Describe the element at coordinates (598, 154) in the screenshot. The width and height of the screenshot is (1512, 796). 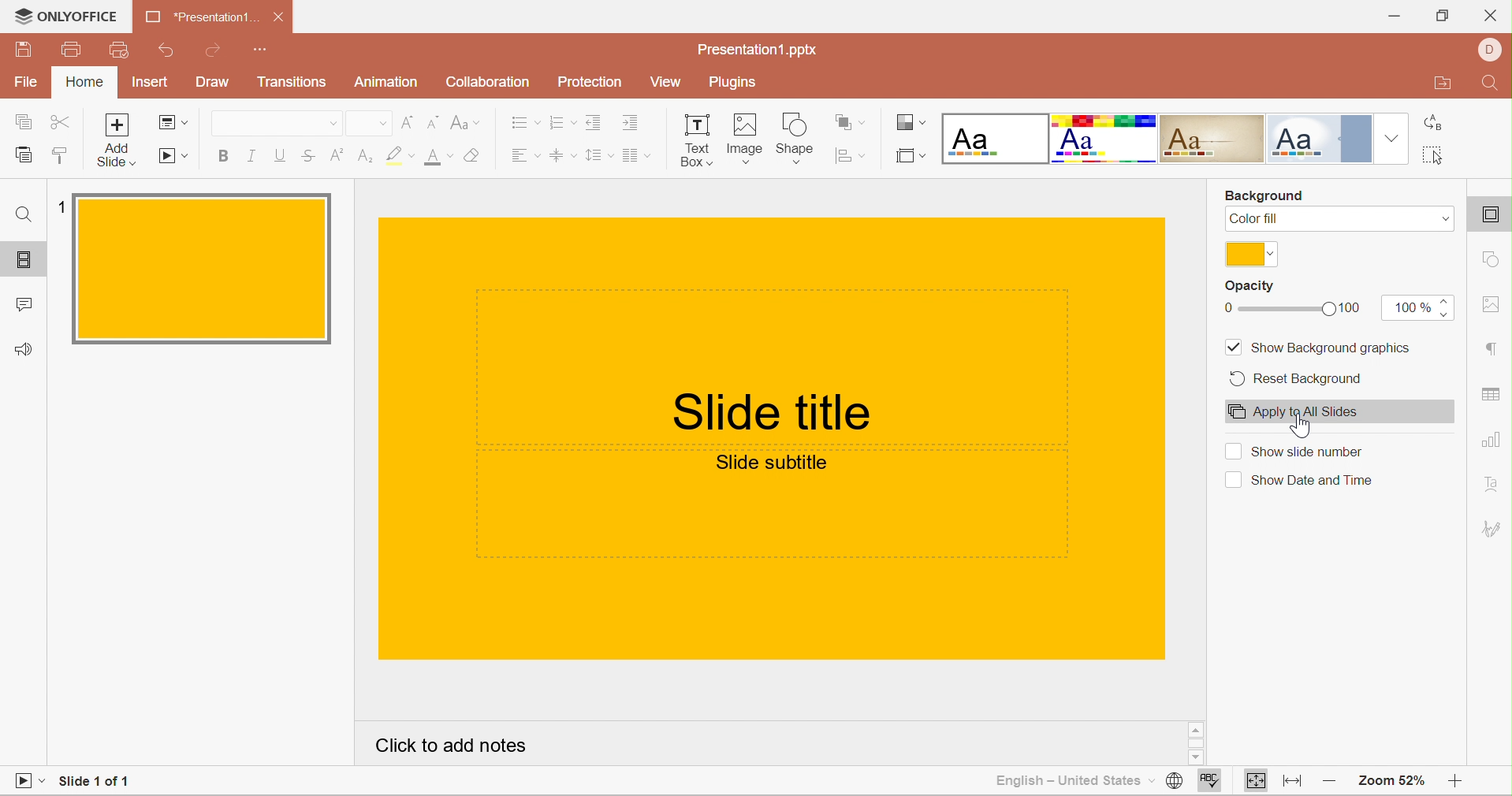
I see `Line spacing` at that location.